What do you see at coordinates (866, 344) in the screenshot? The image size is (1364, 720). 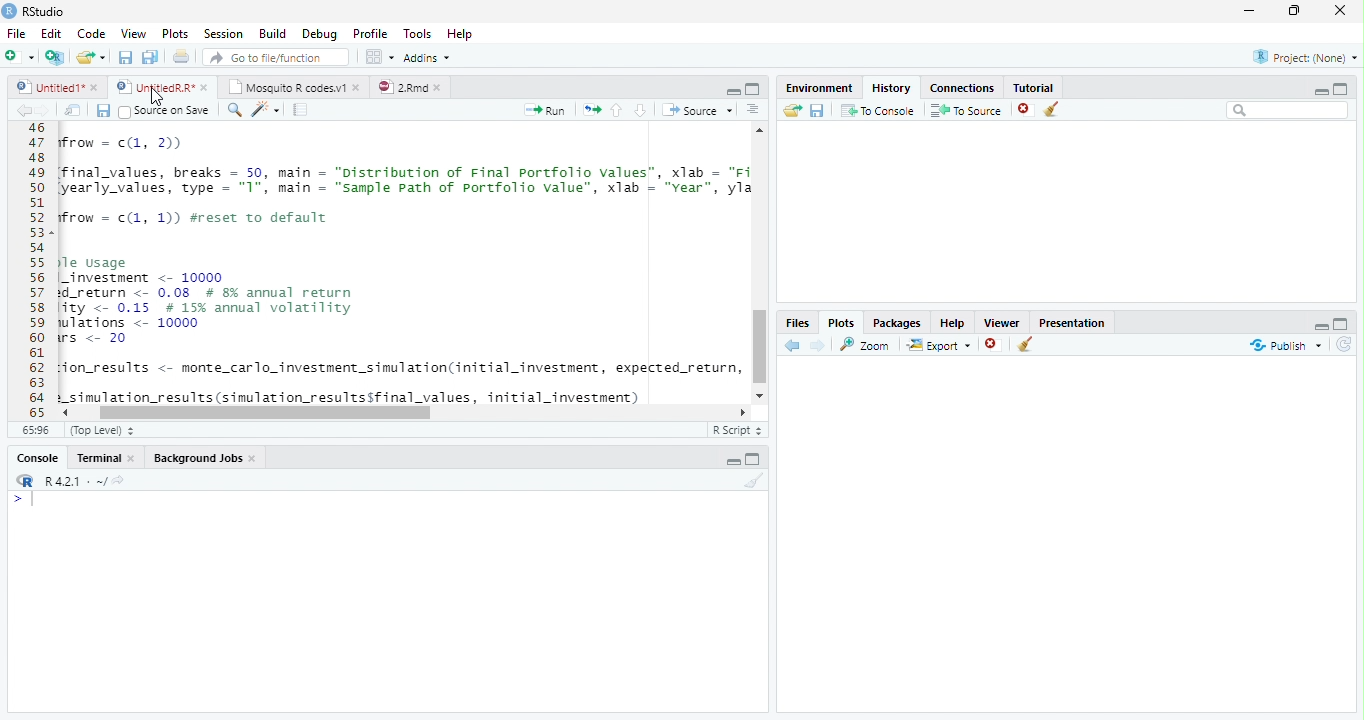 I see `Zoom` at bounding box center [866, 344].